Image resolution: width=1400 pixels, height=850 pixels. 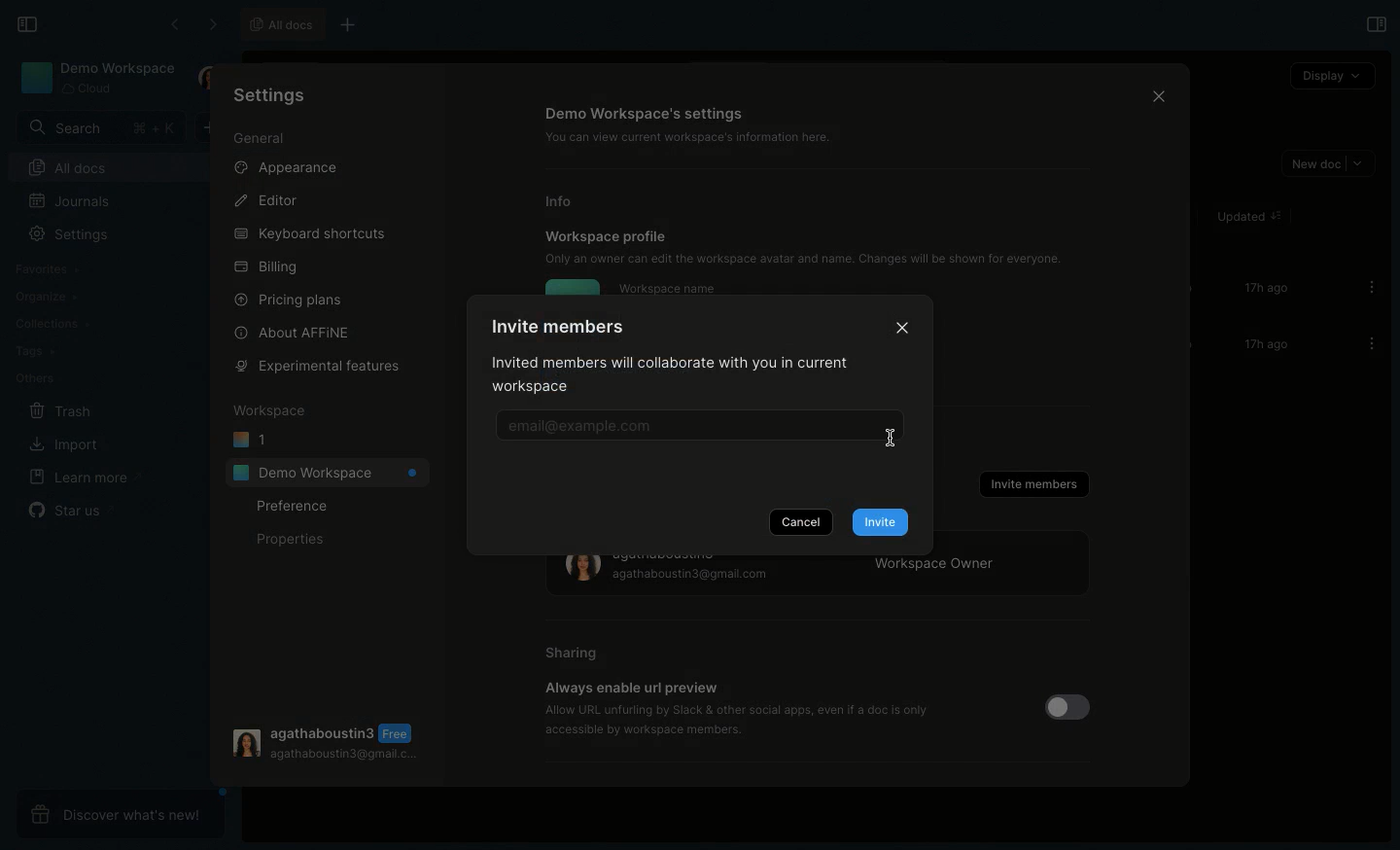 What do you see at coordinates (52, 322) in the screenshot?
I see `Collections` at bounding box center [52, 322].